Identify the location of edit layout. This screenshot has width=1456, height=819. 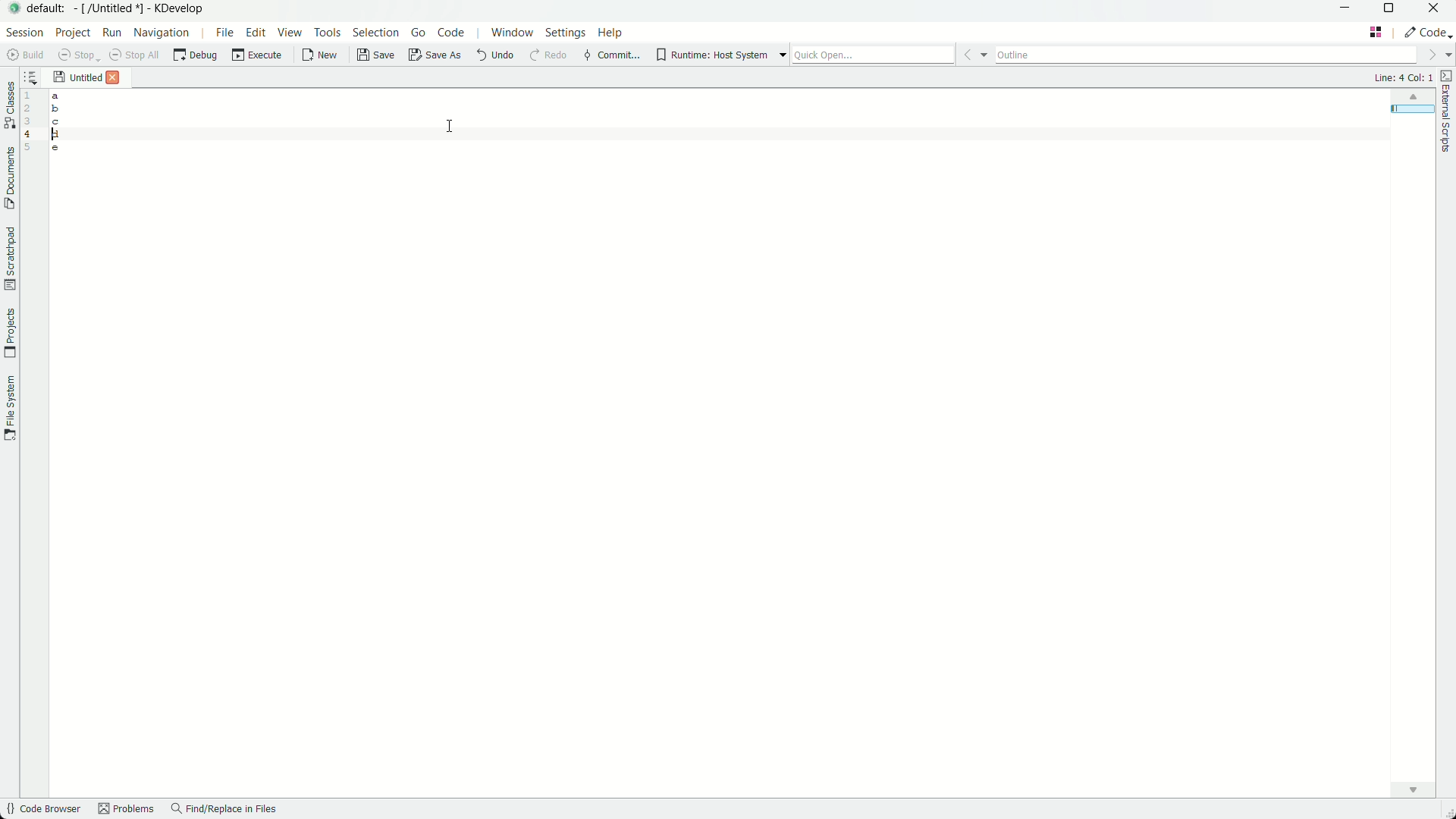
(1376, 31).